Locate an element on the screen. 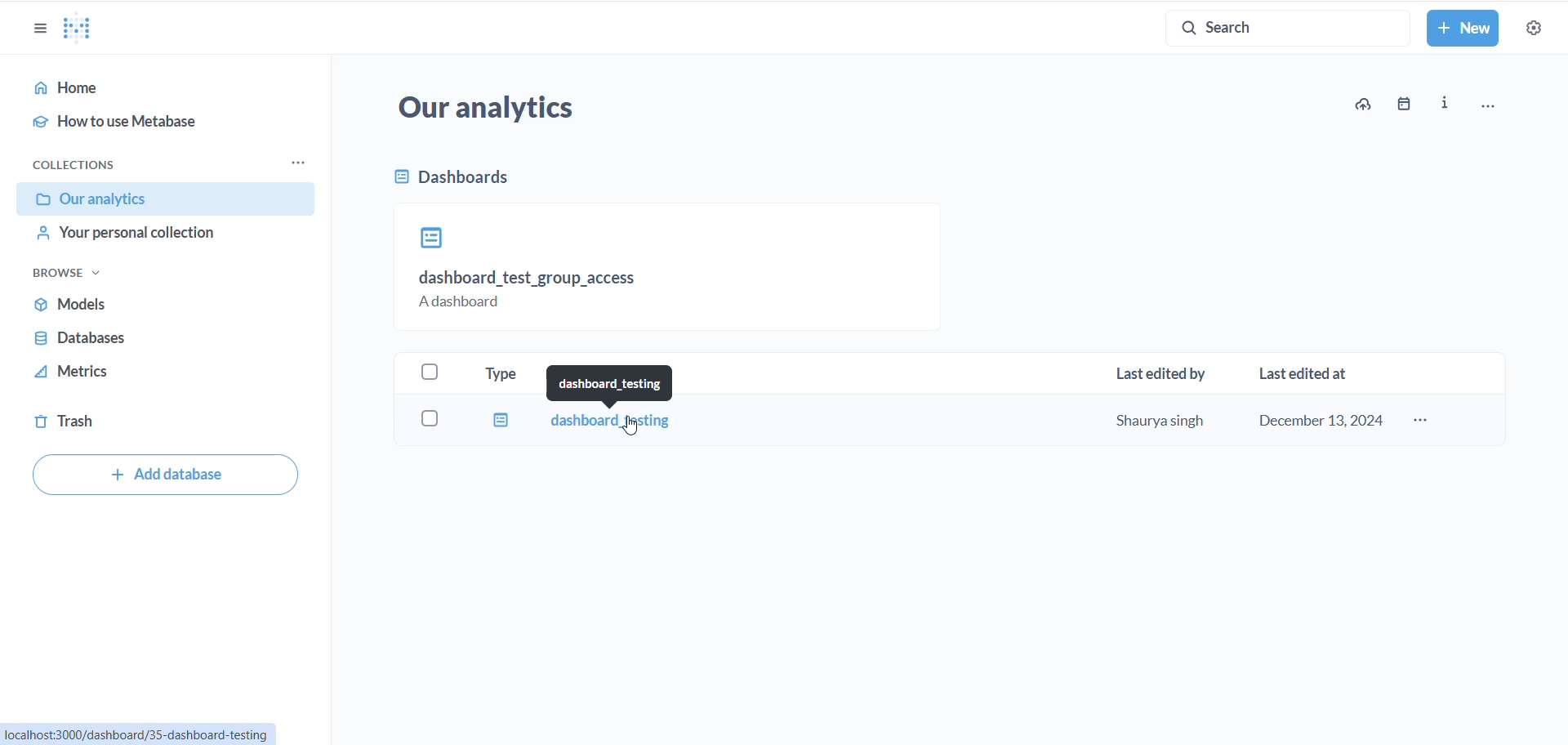 The image size is (1568, 745). new  is located at coordinates (1463, 29).